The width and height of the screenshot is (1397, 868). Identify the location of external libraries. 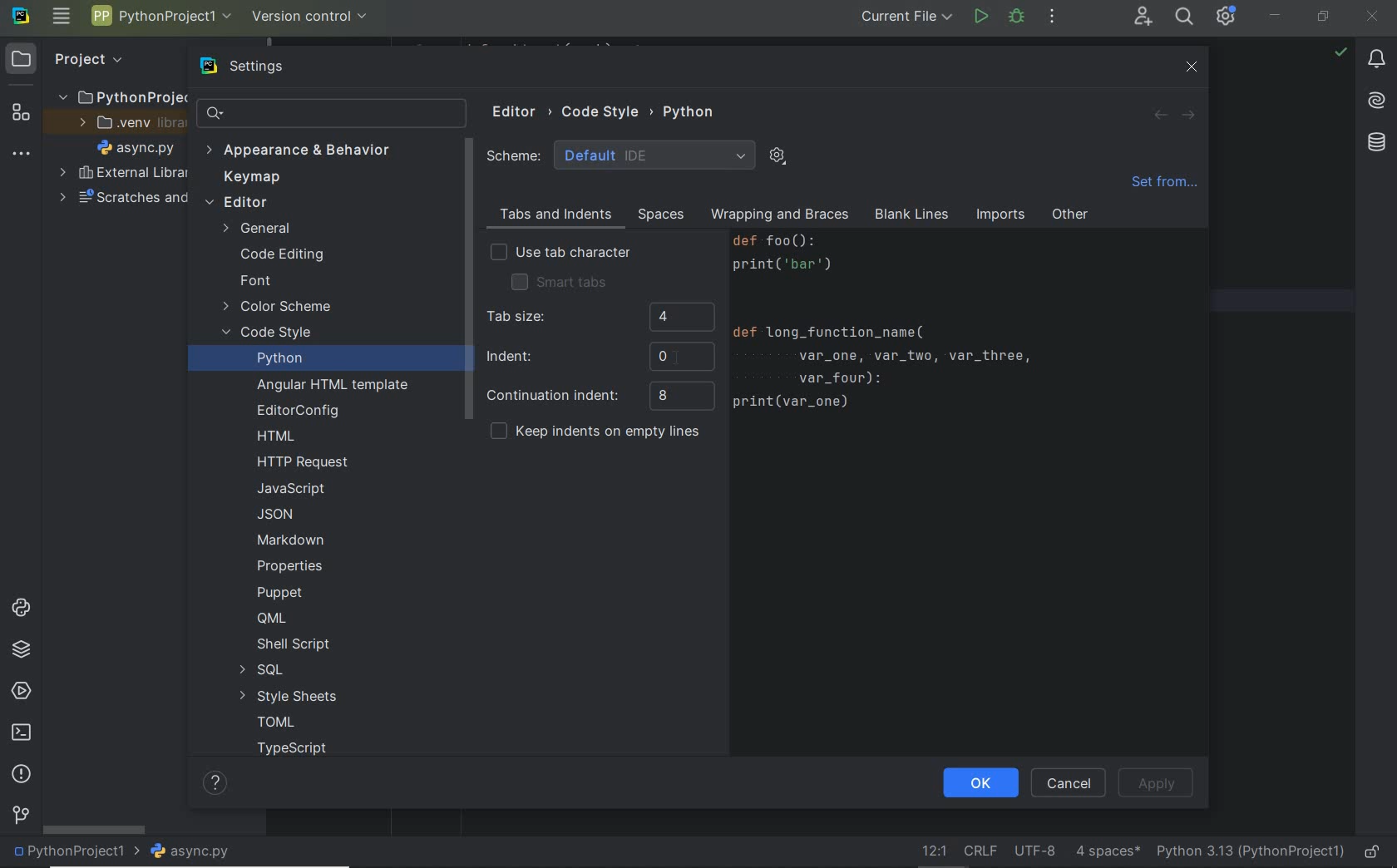
(123, 173).